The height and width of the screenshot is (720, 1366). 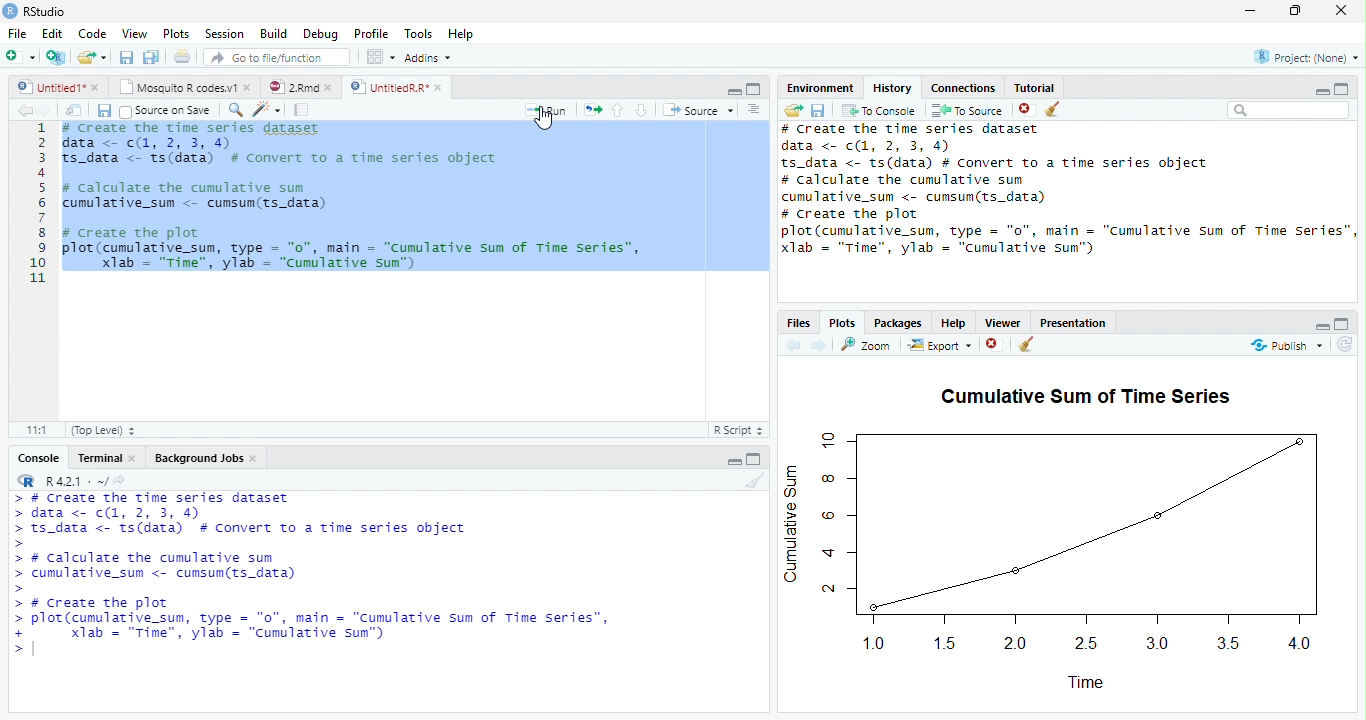 I want to click on Zoom, so click(x=866, y=345).